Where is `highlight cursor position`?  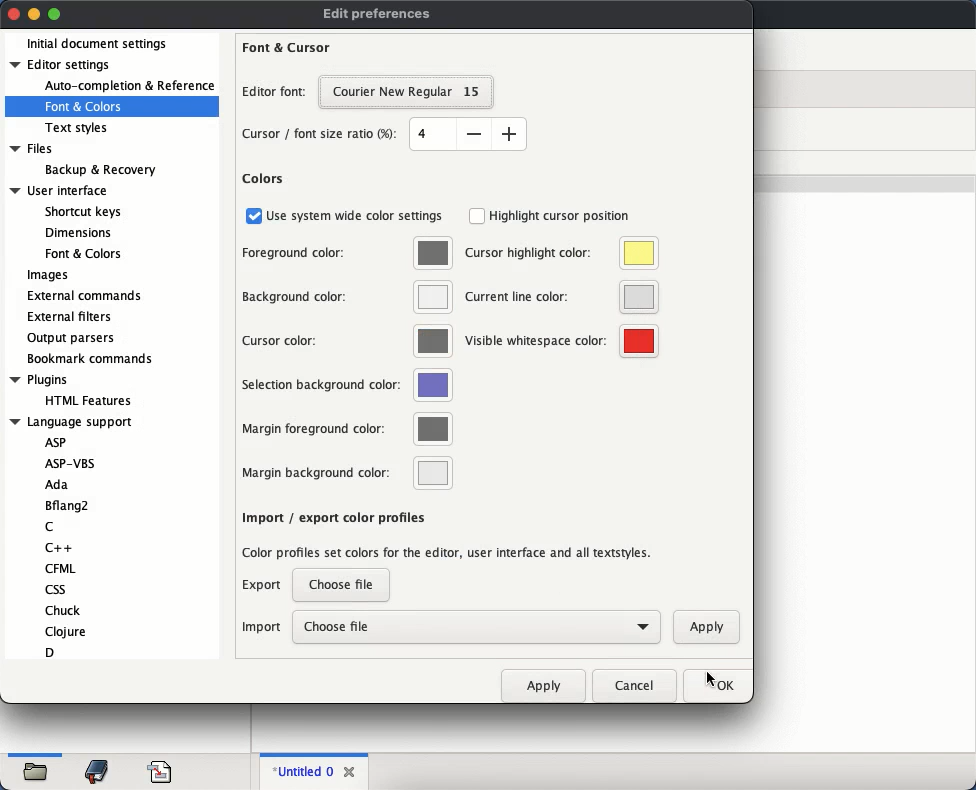
highlight cursor position is located at coordinates (551, 216).